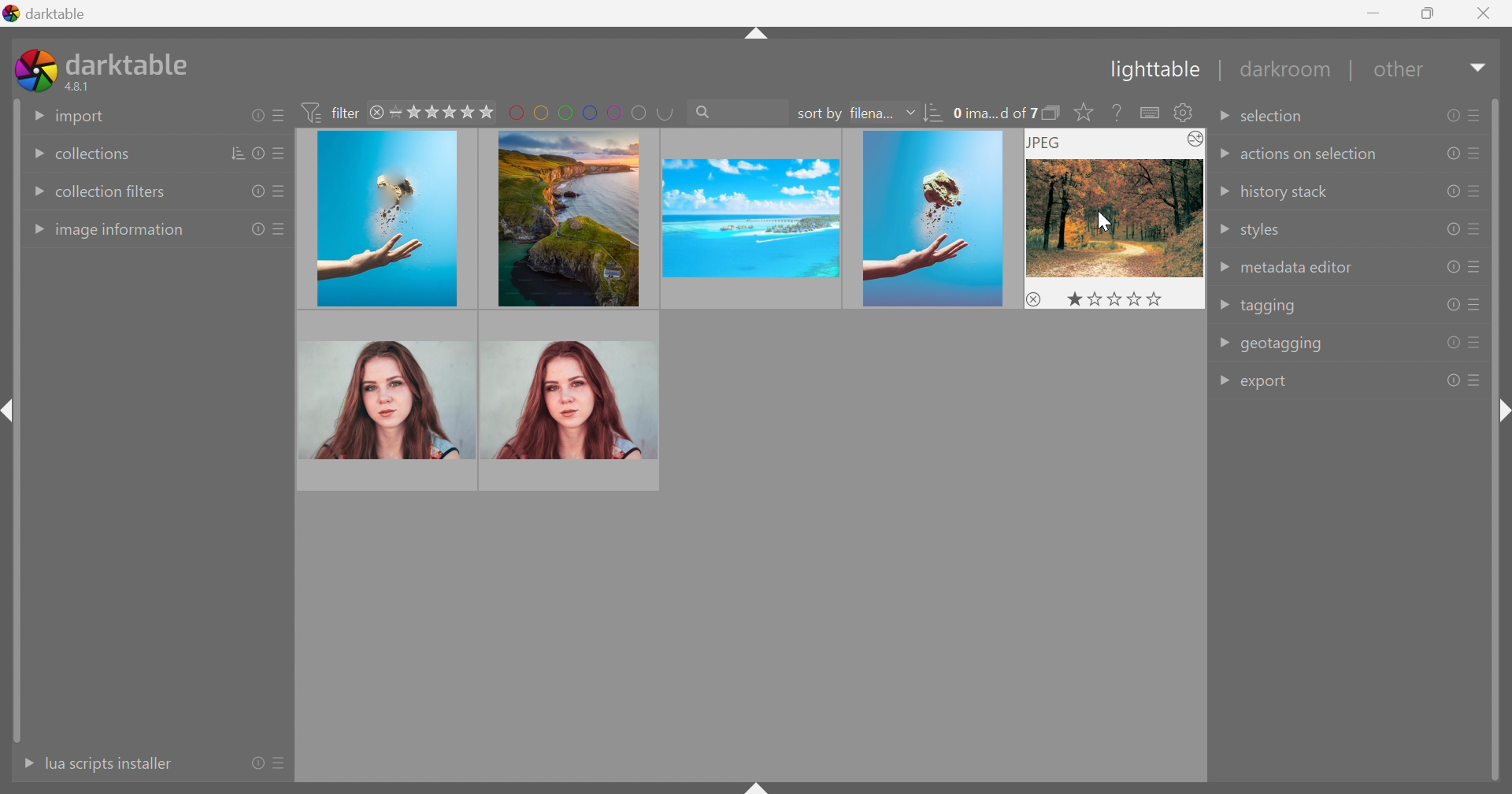 Image resolution: width=1512 pixels, height=794 pixels. I want to click on lua scripts instaler, so click(108, 763).